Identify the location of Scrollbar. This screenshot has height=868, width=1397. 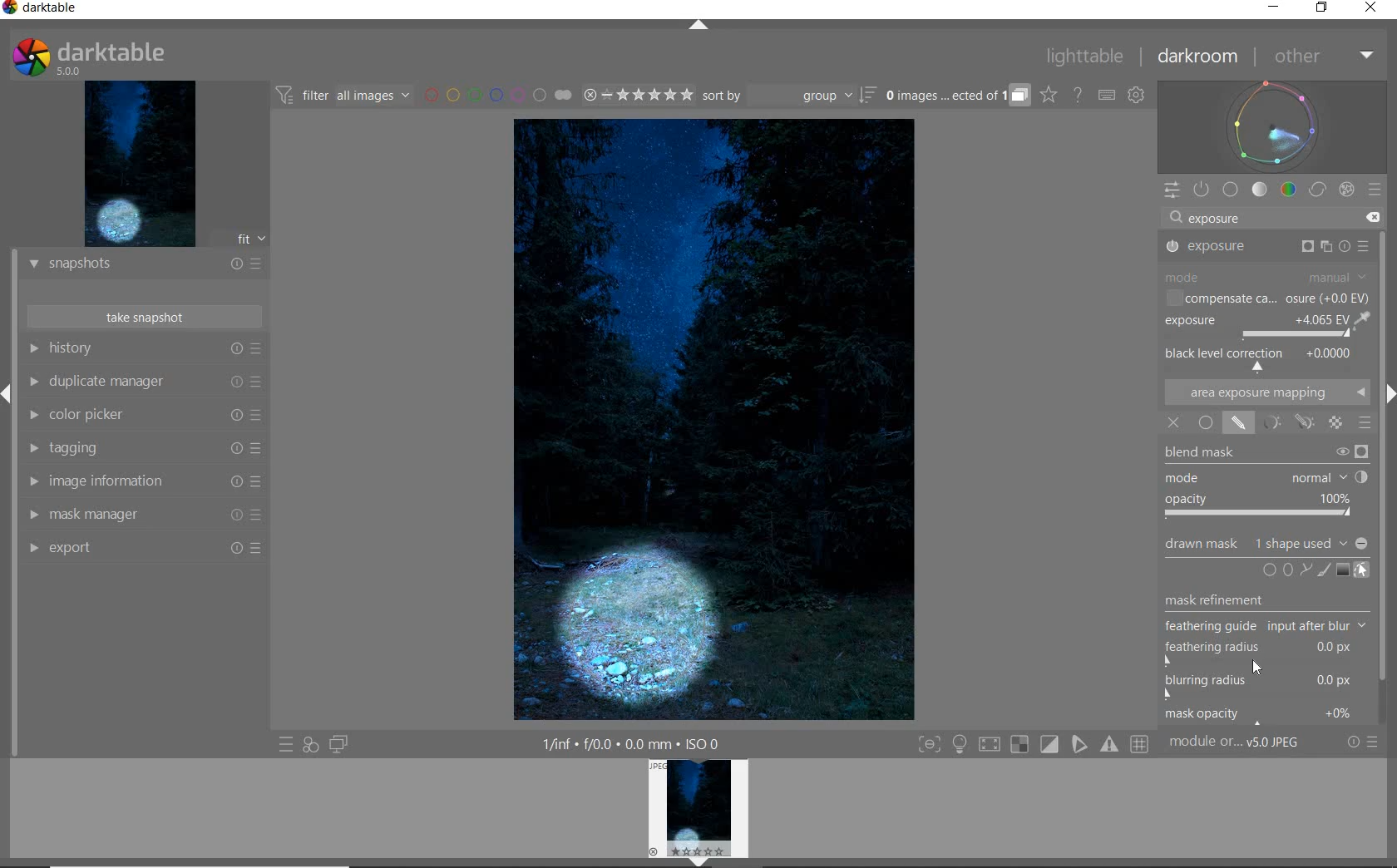
(1389, 565).